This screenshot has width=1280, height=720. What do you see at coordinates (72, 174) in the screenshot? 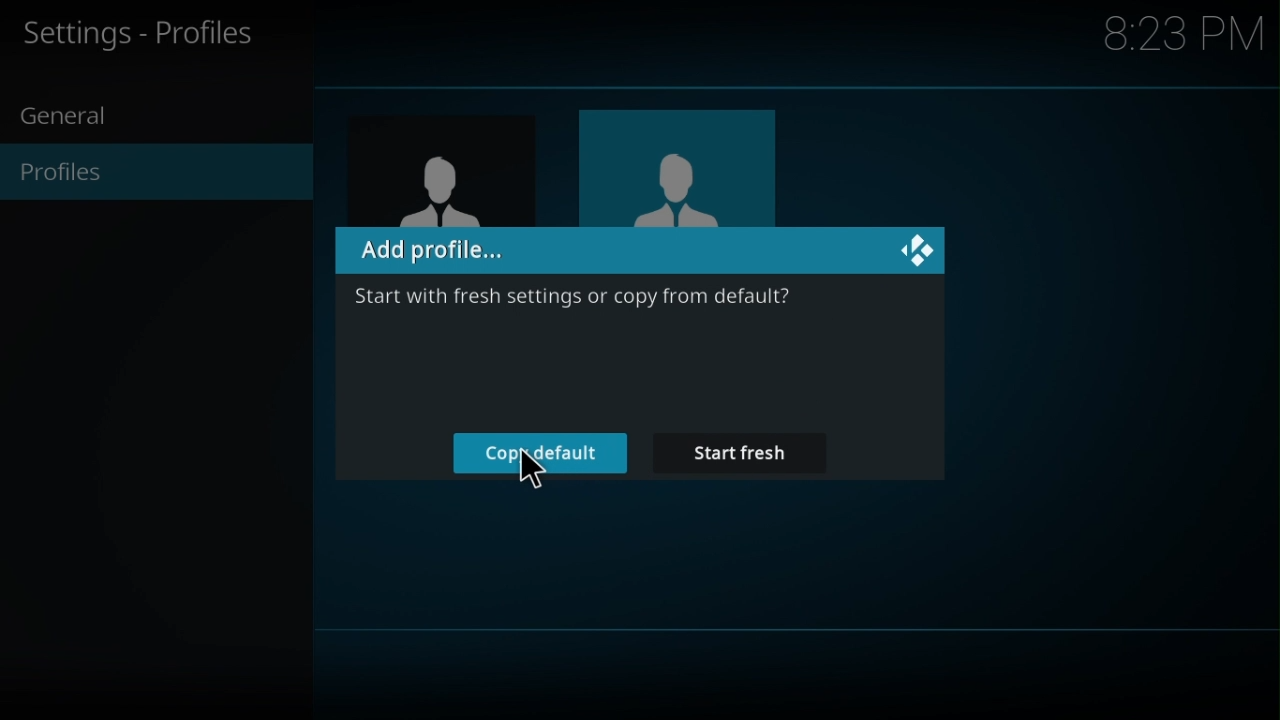
I see `profiles` at bounding box center [72, 174].